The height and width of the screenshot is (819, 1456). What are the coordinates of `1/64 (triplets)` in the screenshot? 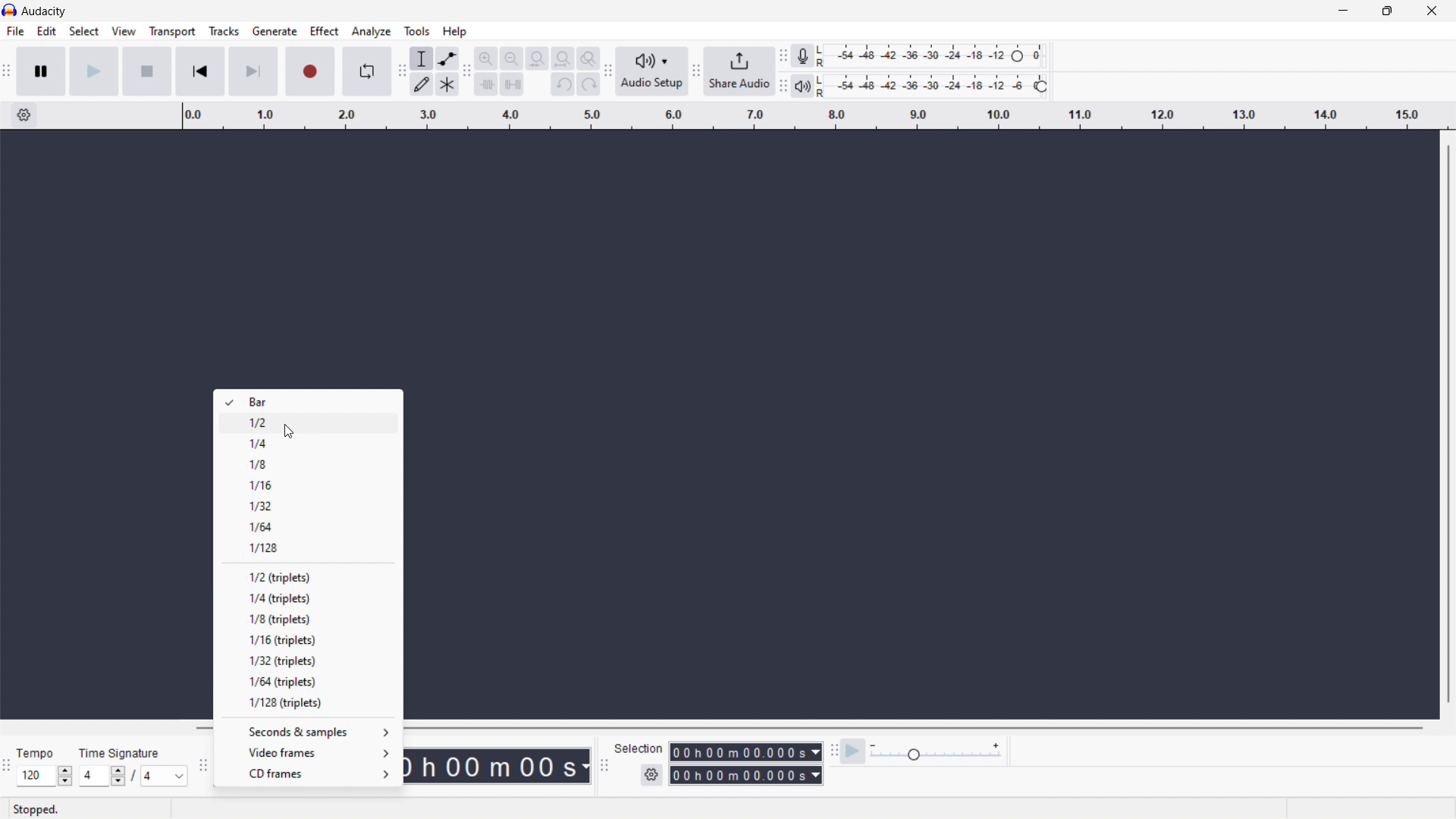 It's located at (307, 680).